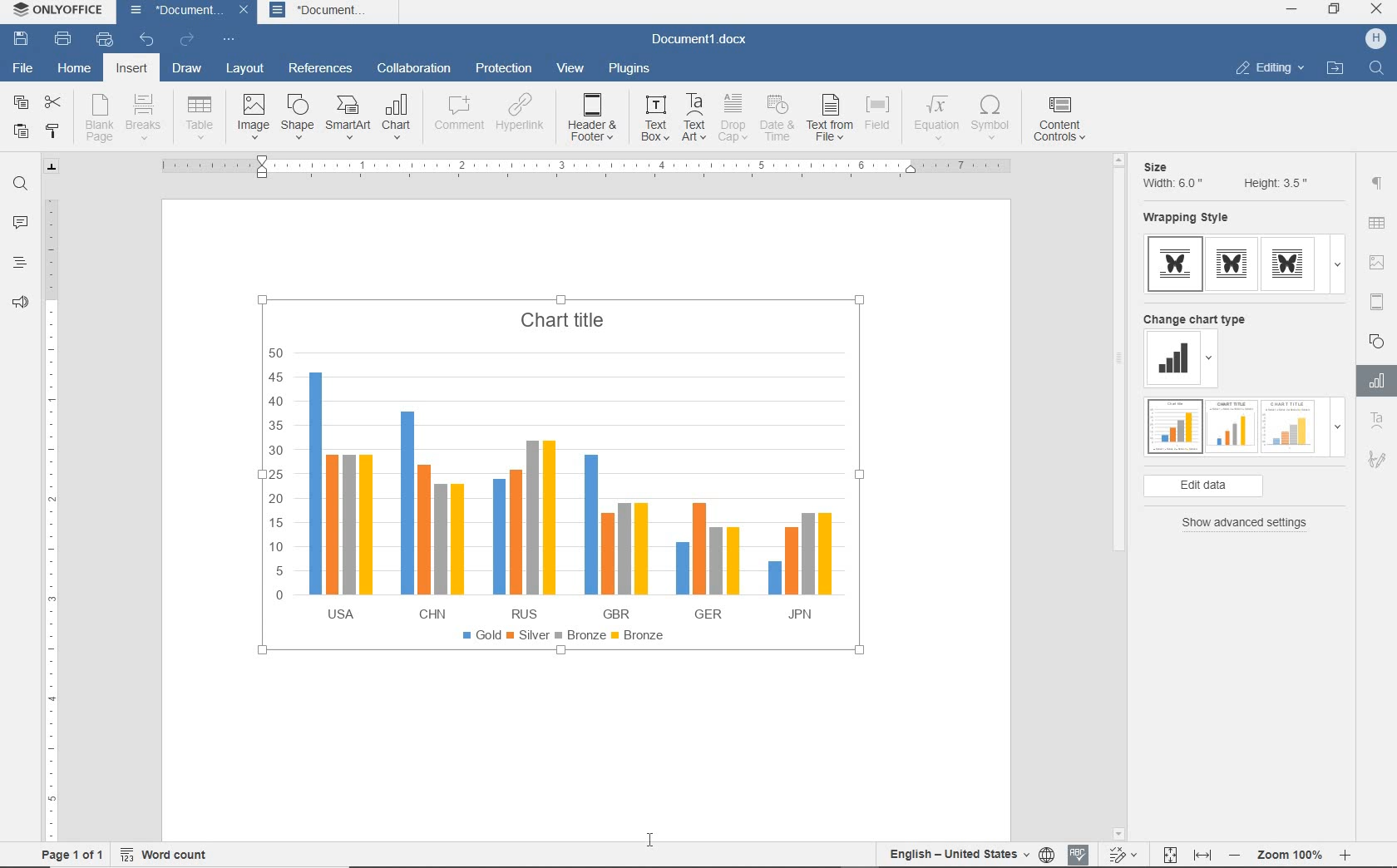  I want to click on editing, so click(1269, 70).